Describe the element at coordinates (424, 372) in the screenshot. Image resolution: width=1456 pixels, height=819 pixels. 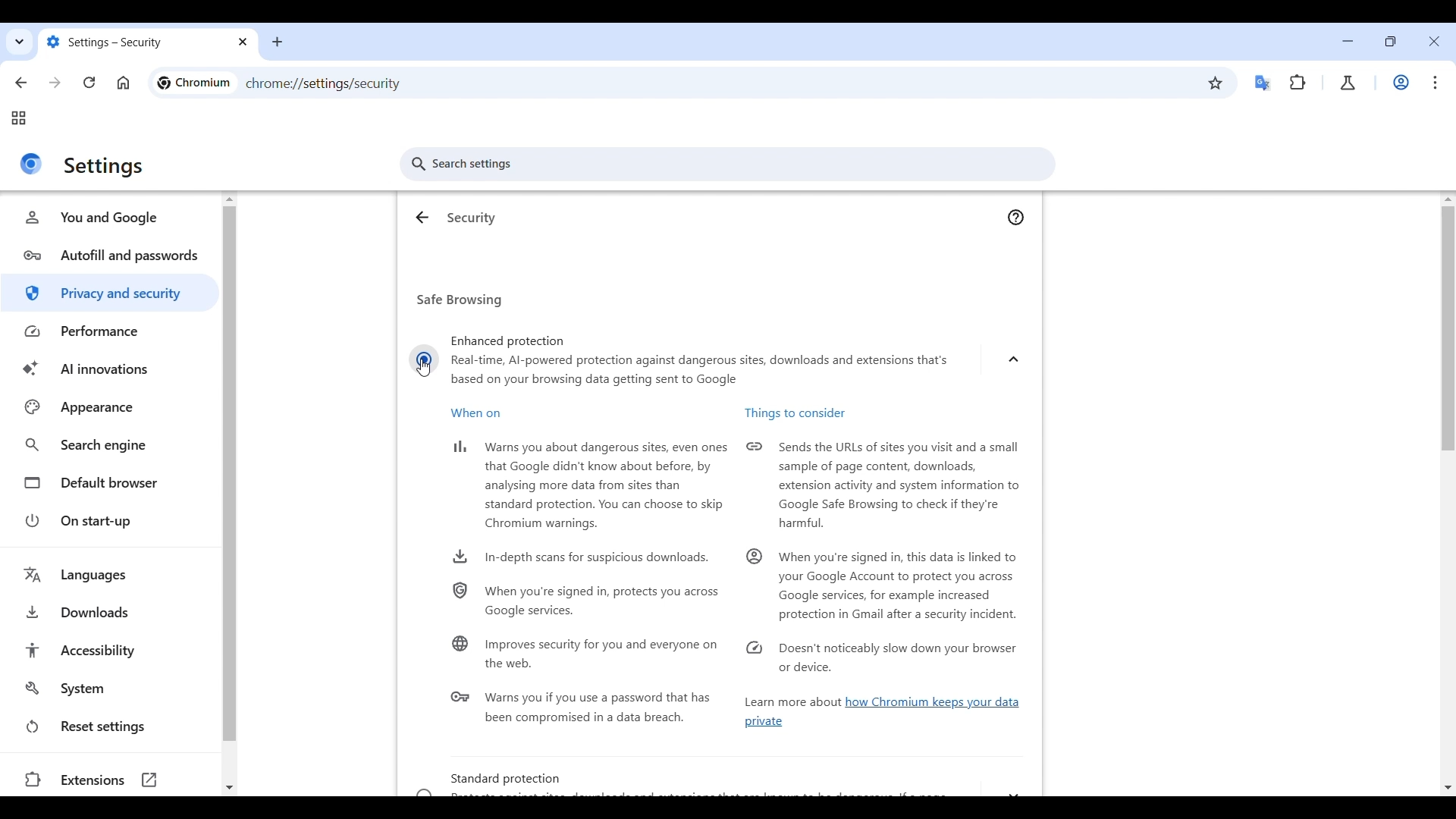
I see `cursor` at that location.